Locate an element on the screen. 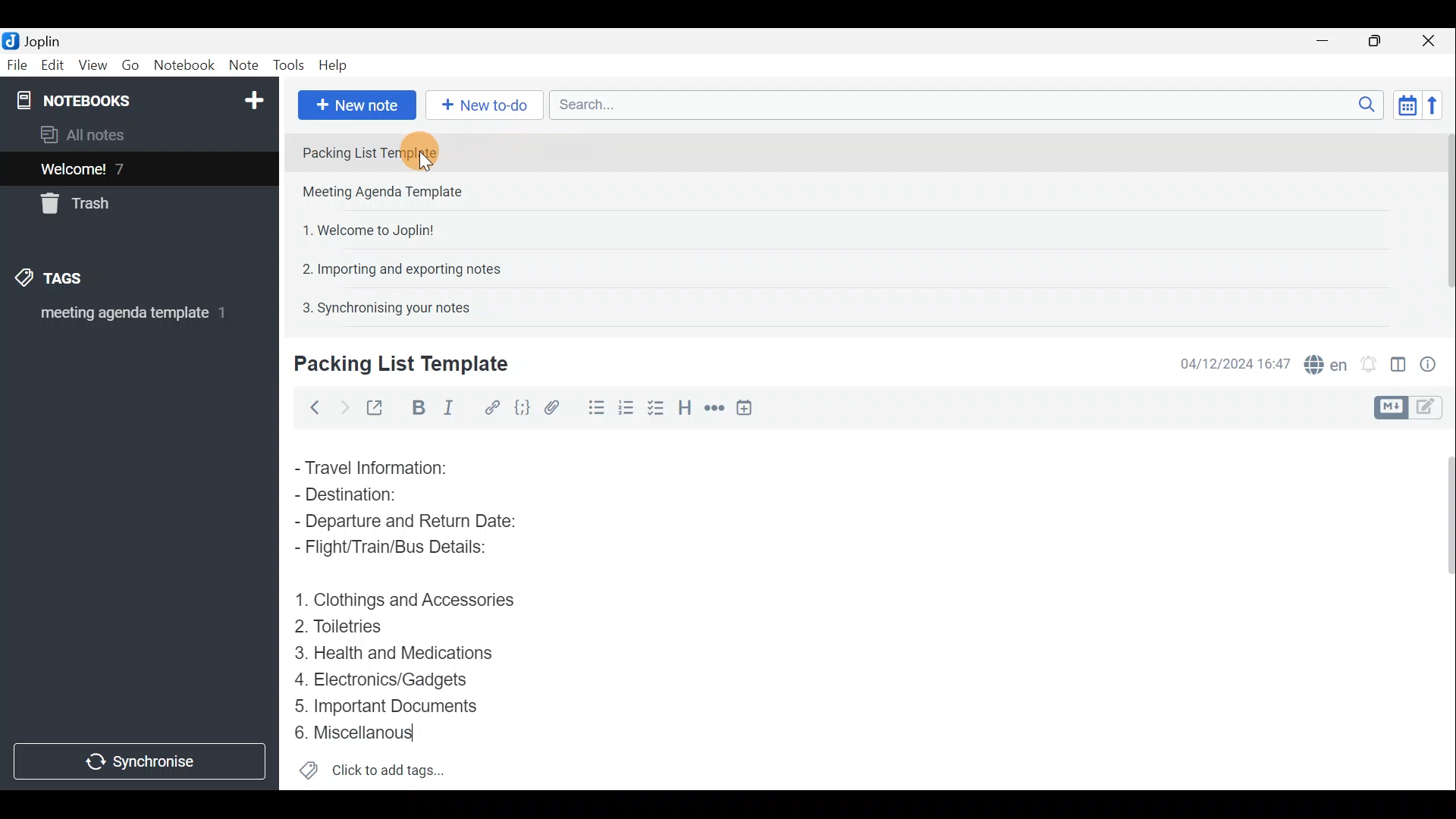  New to-do is located at coordinates (485, 105).